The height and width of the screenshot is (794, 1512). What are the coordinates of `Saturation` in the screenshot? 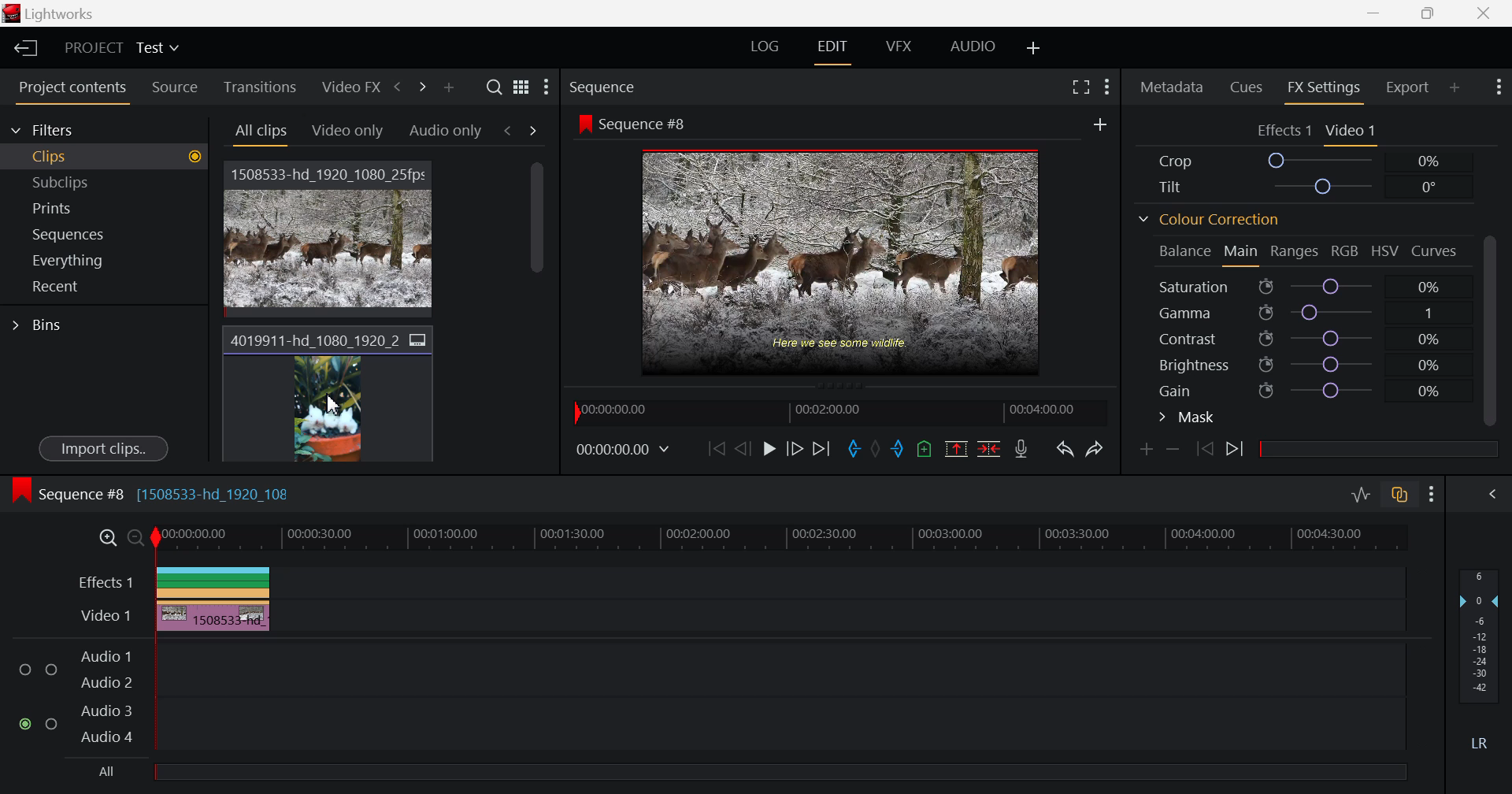 It's located at (1303, 287).